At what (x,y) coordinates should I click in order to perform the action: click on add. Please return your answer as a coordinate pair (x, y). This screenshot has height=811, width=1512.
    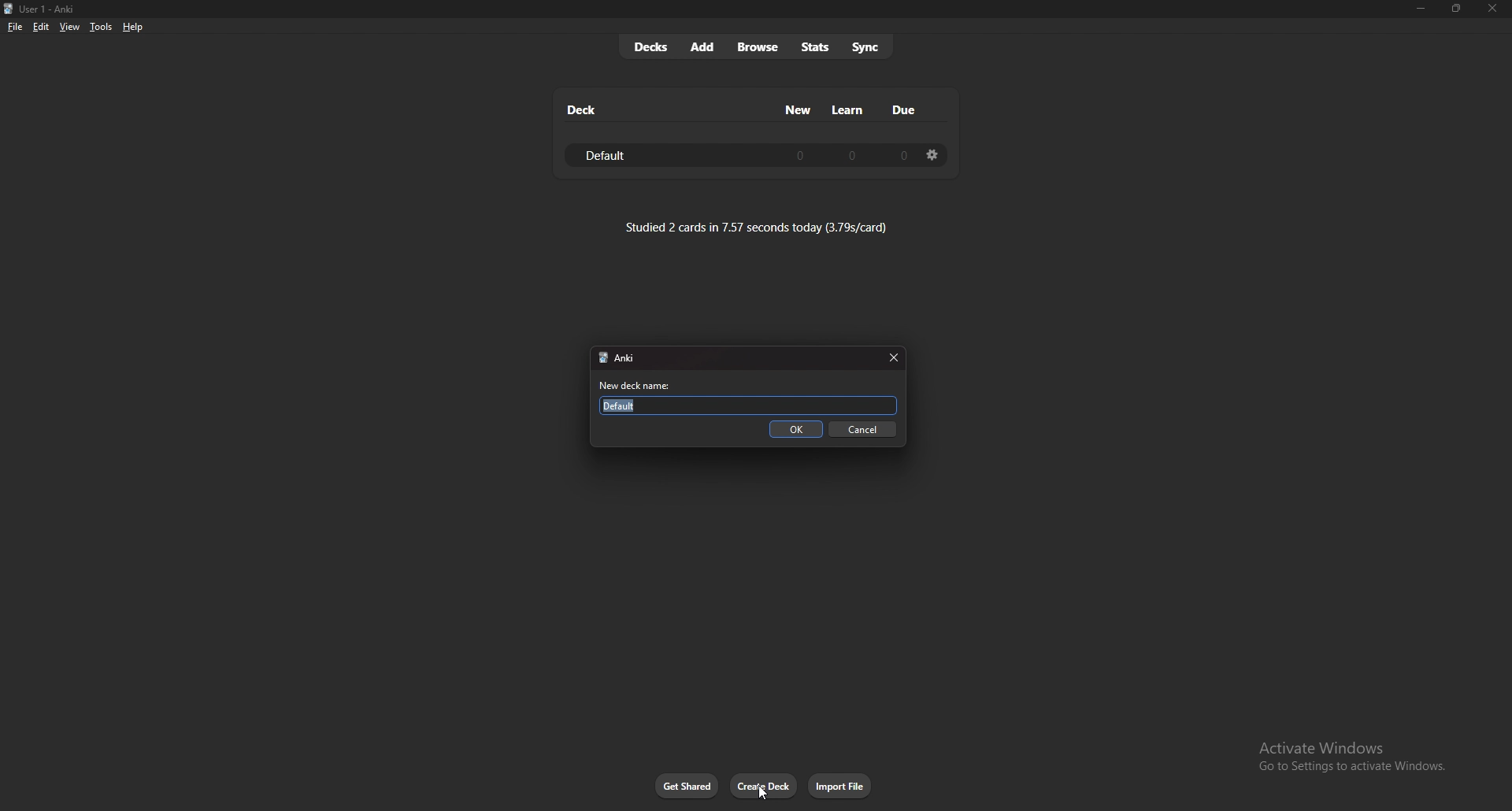
    Looking at the image, I should click on (703, 46).